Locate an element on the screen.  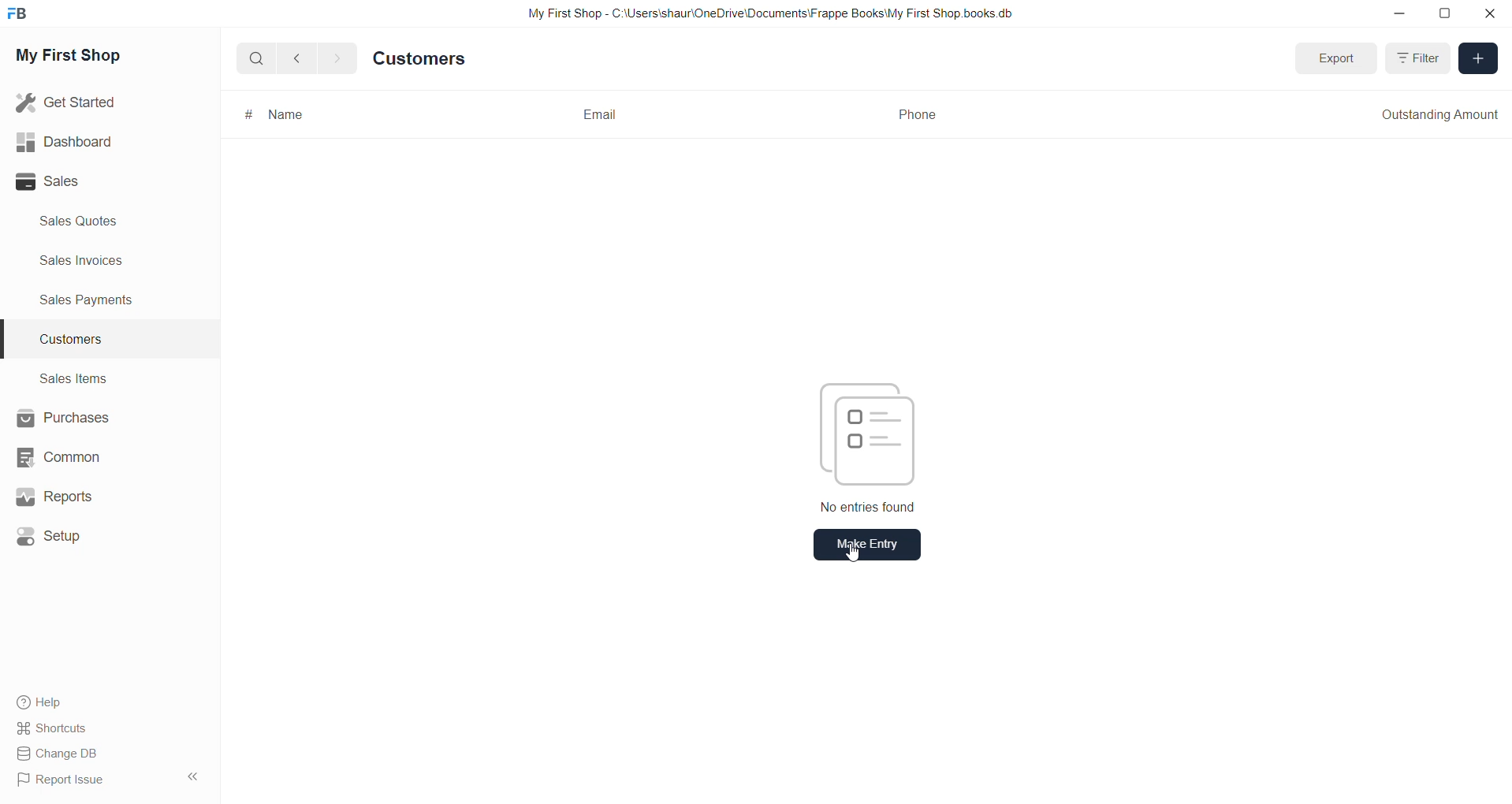
 Change DB is located at coordinates (61, 753).